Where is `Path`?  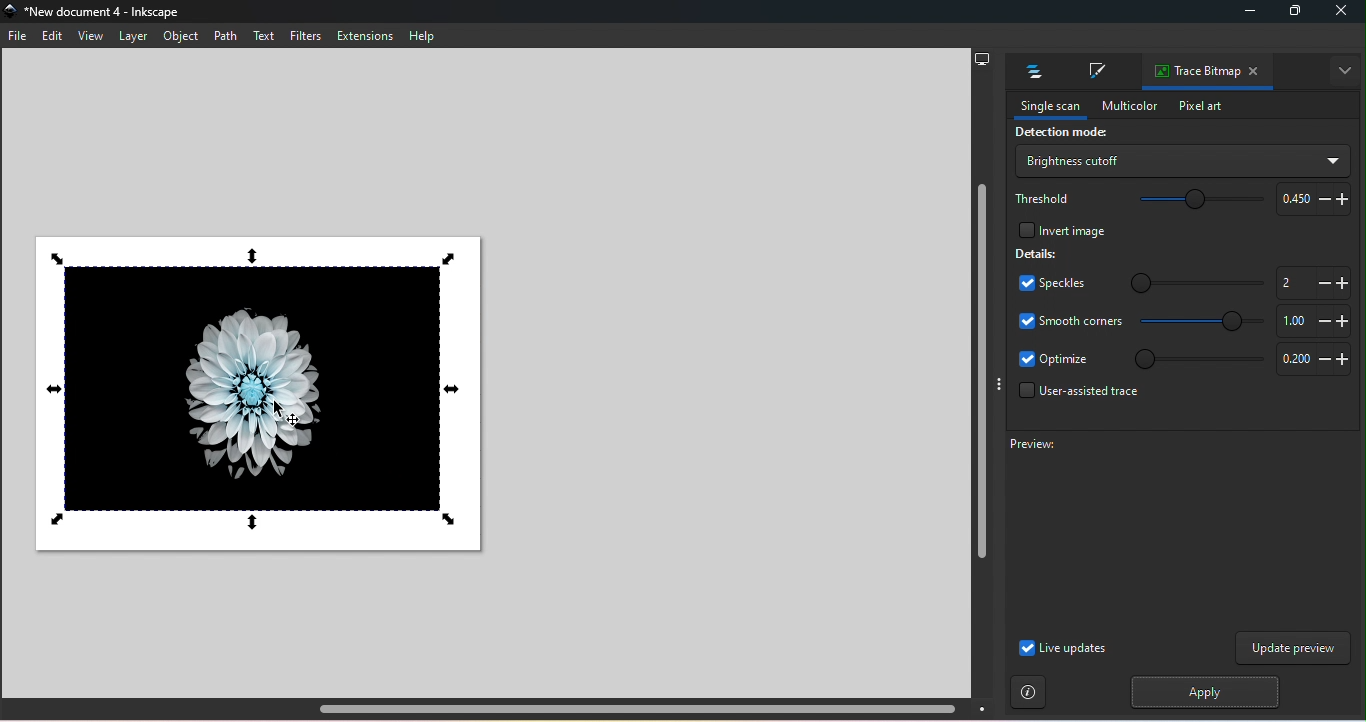
Path is located at coordinates (225, 35).